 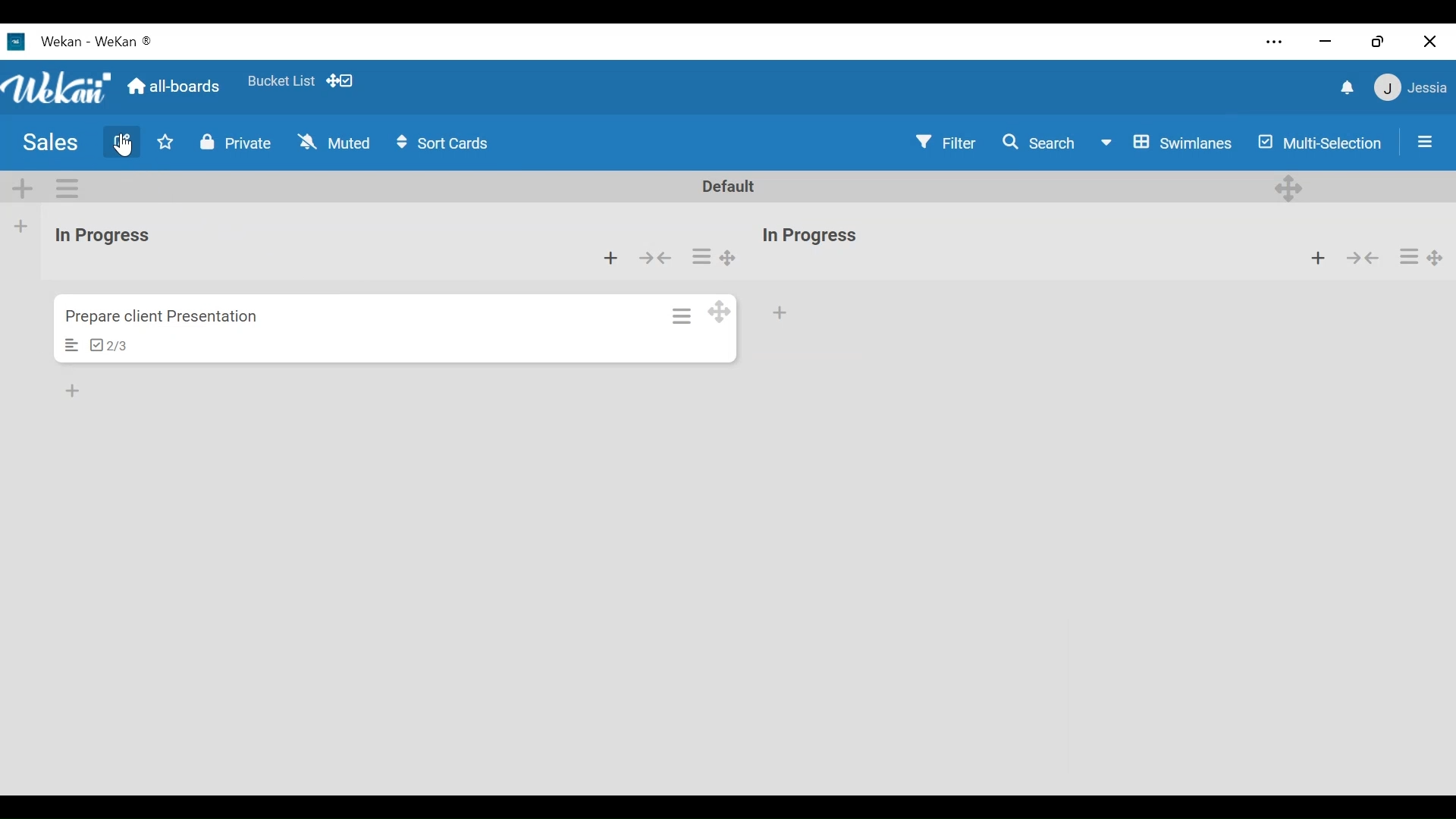 I want to click on Desktop drag handles, so click(x=1291, y=188).